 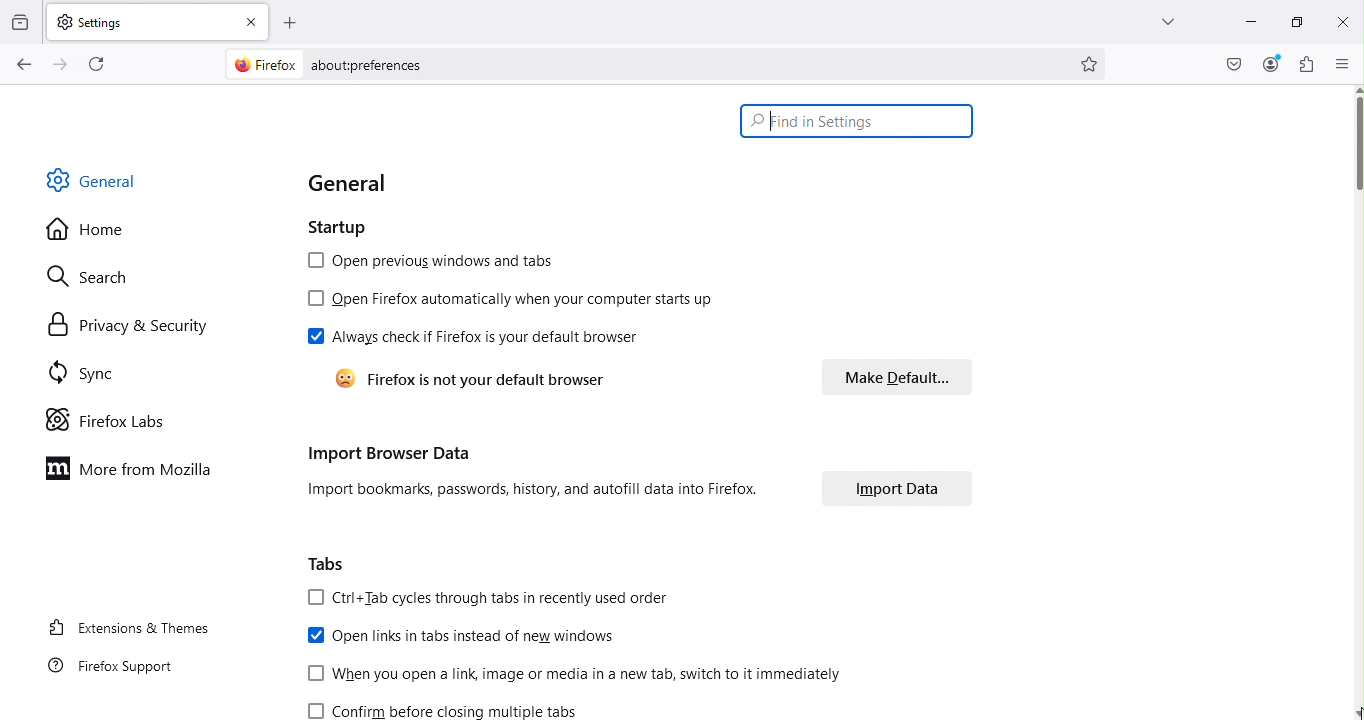 I want to click on Close, so click(x=1342, y=21).